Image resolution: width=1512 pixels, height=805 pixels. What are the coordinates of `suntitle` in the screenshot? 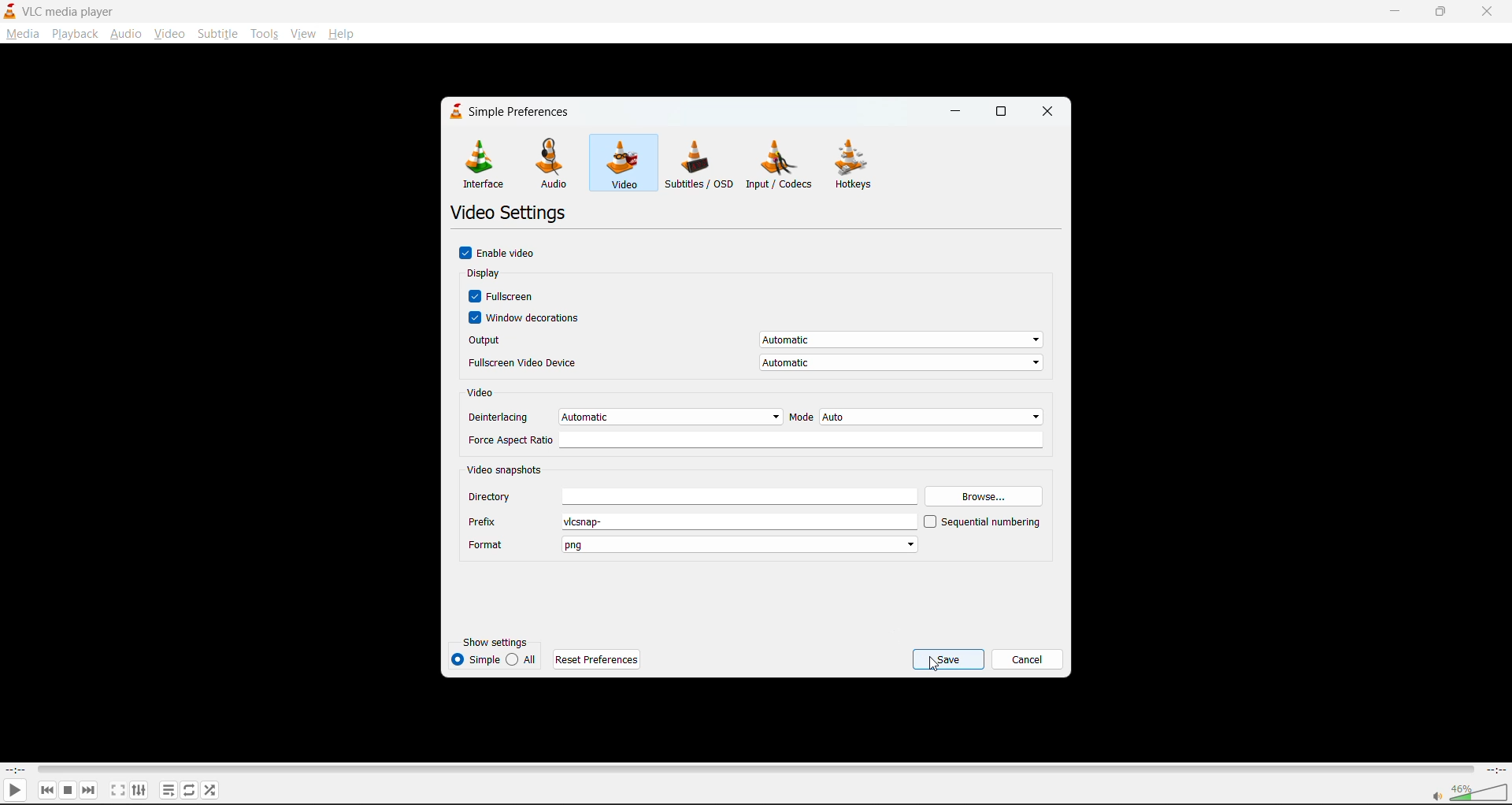 It's located at (217, 33).